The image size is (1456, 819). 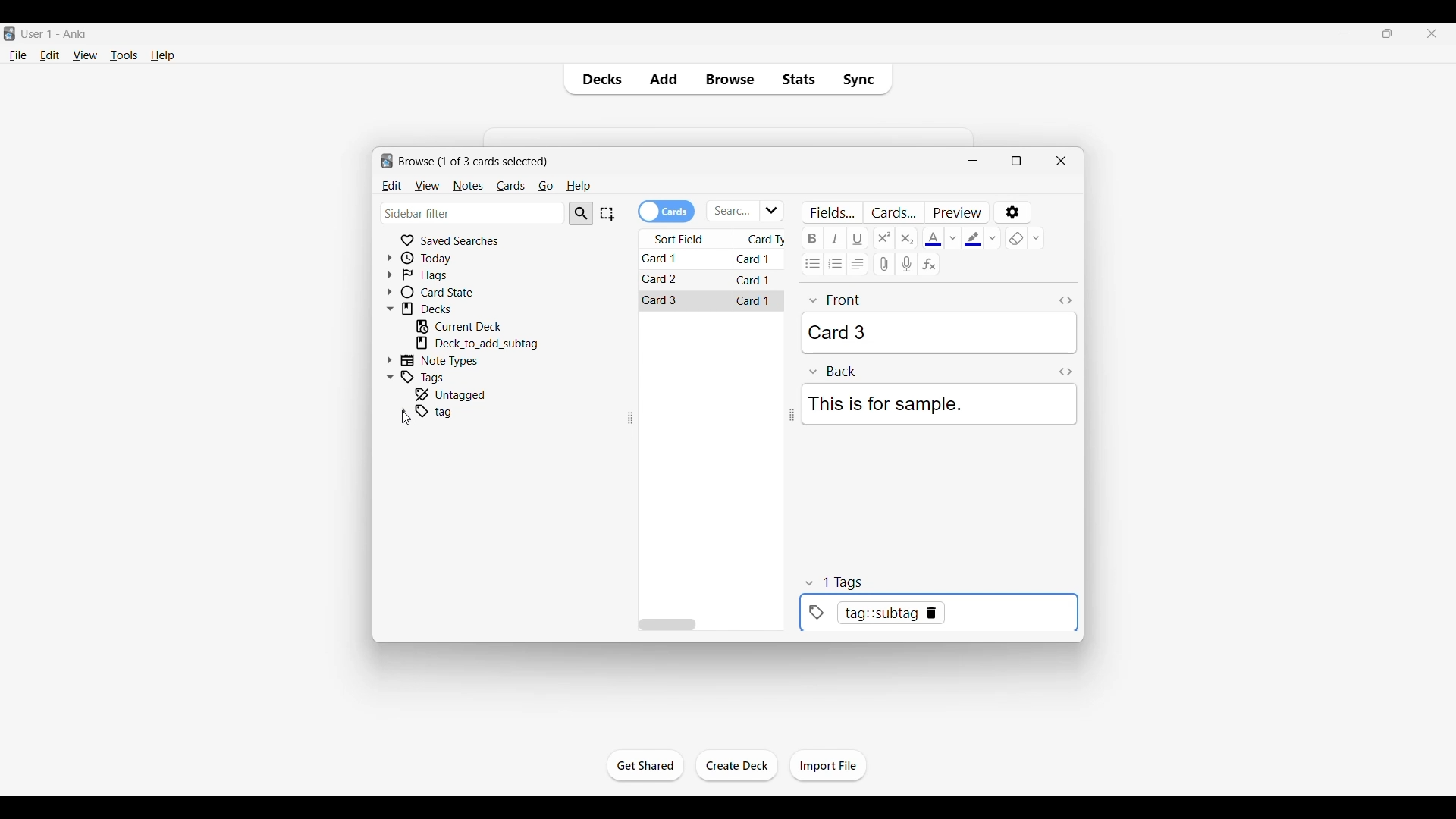 What do you see at coordinates (50, 55) in the screenshot?
I see `Edit menu` at bounding box center [50, 55].